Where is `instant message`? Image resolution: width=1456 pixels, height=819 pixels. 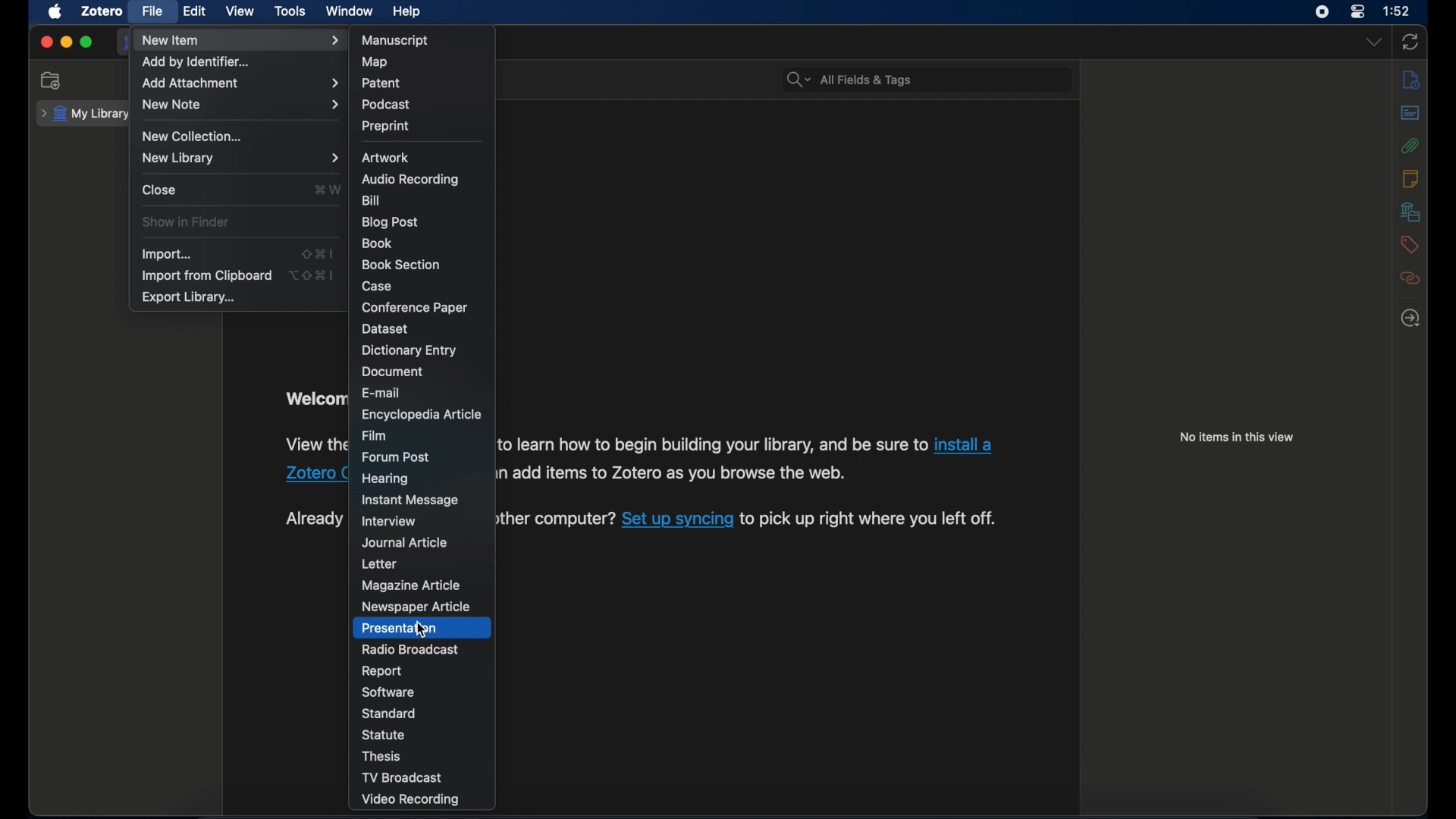 instant message is located at coordinates (409, 500).